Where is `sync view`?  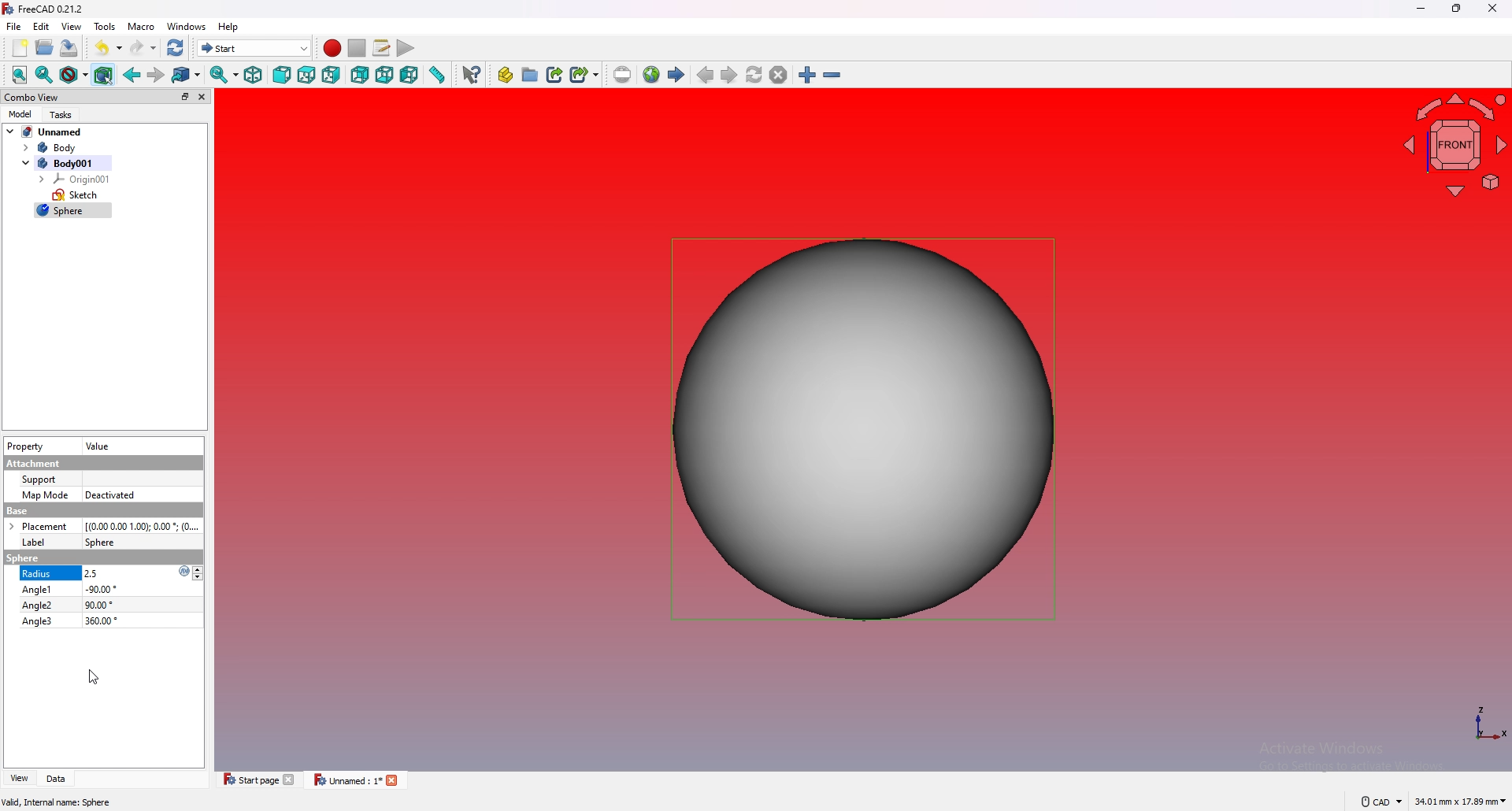 sync view is located at coordinates (224, 75).